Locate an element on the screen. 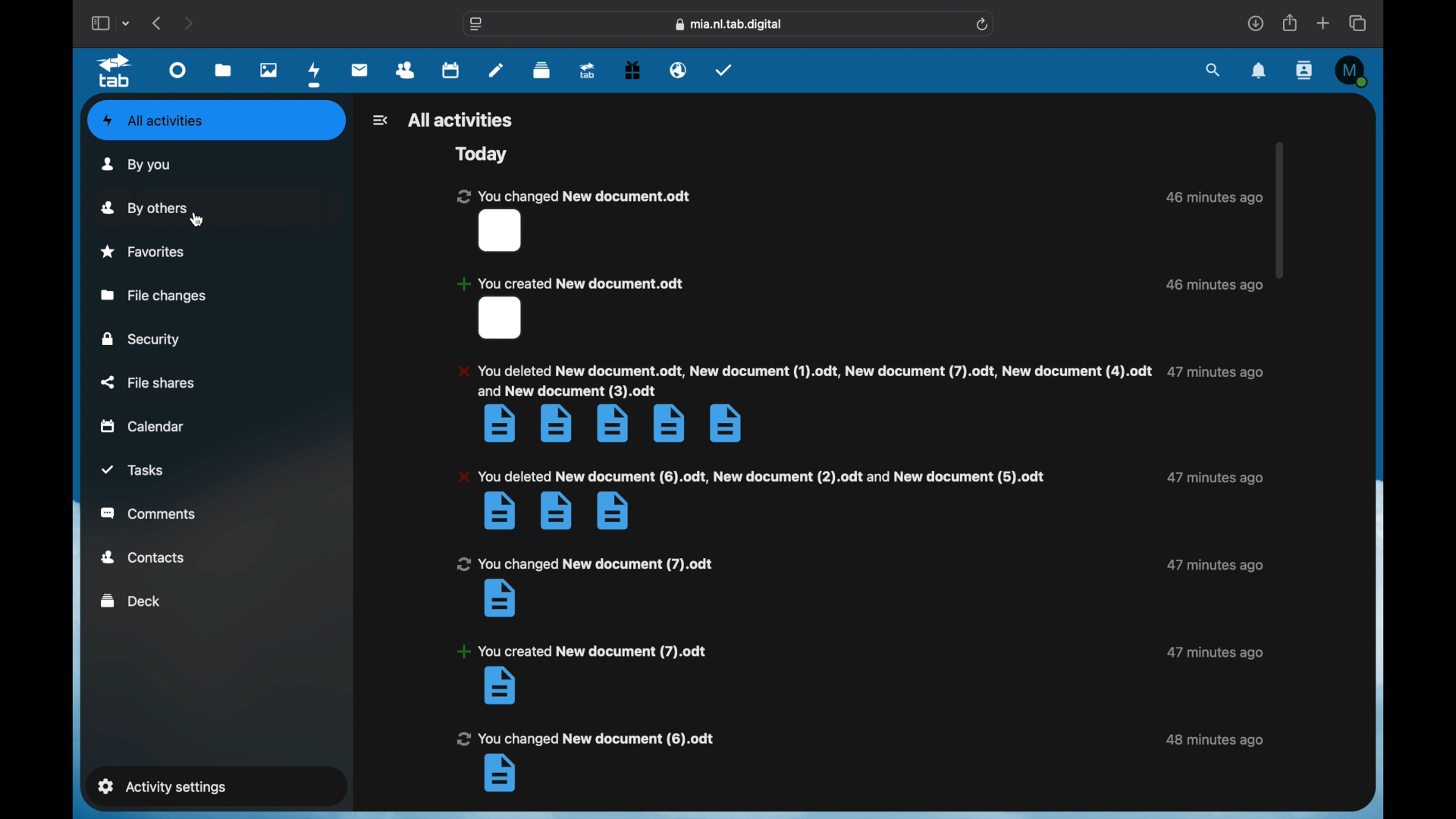  free trial is located at coordinates (633, 71).